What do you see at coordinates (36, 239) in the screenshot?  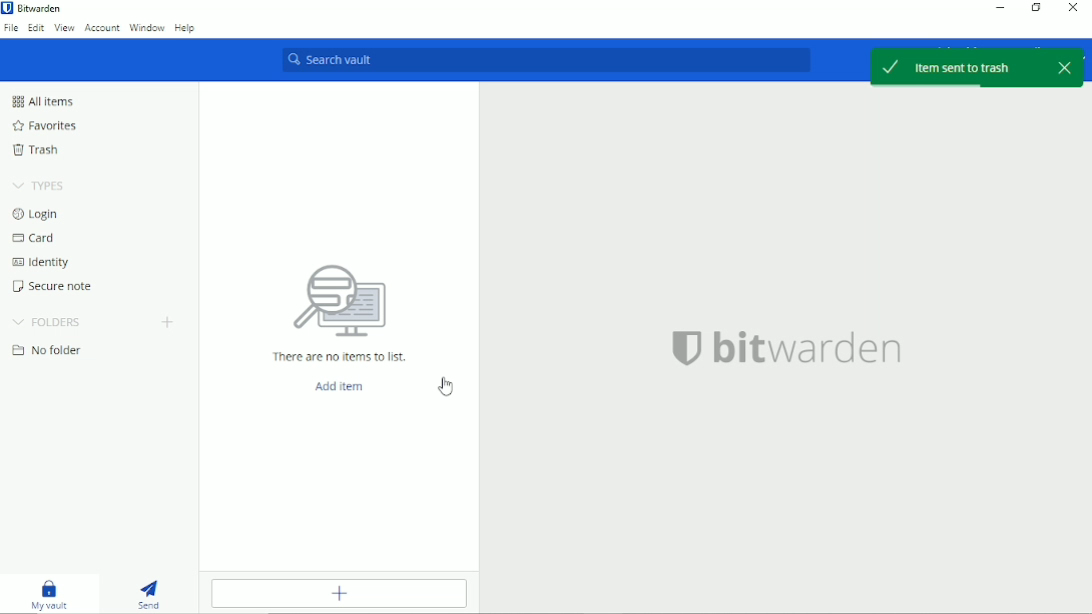 I see `Card` at bounding box center [36, 239].